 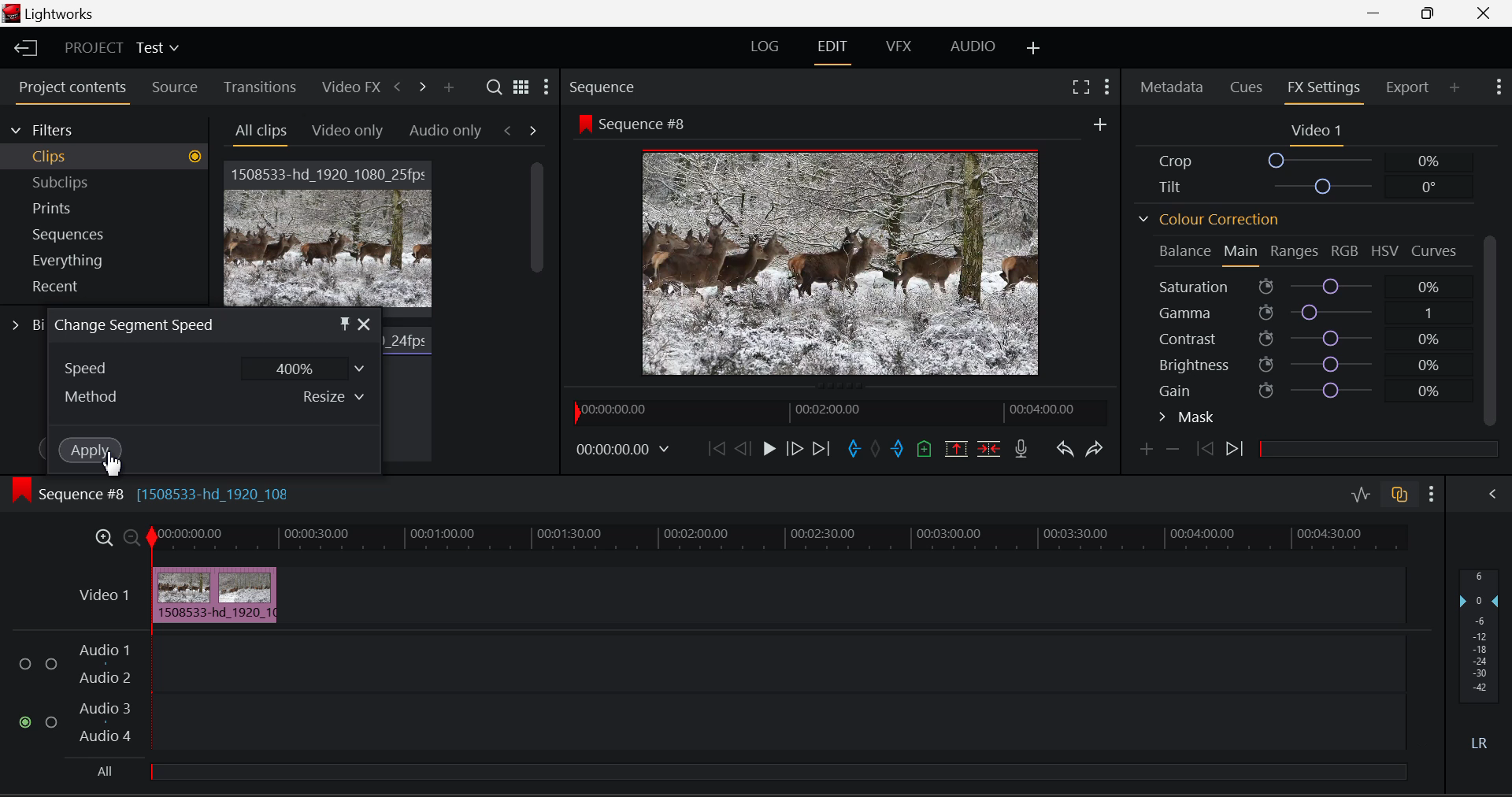 What do you see at coordinates (109, 289) in the screenshot?
I see `Recent` at bounding box center [109, 289].